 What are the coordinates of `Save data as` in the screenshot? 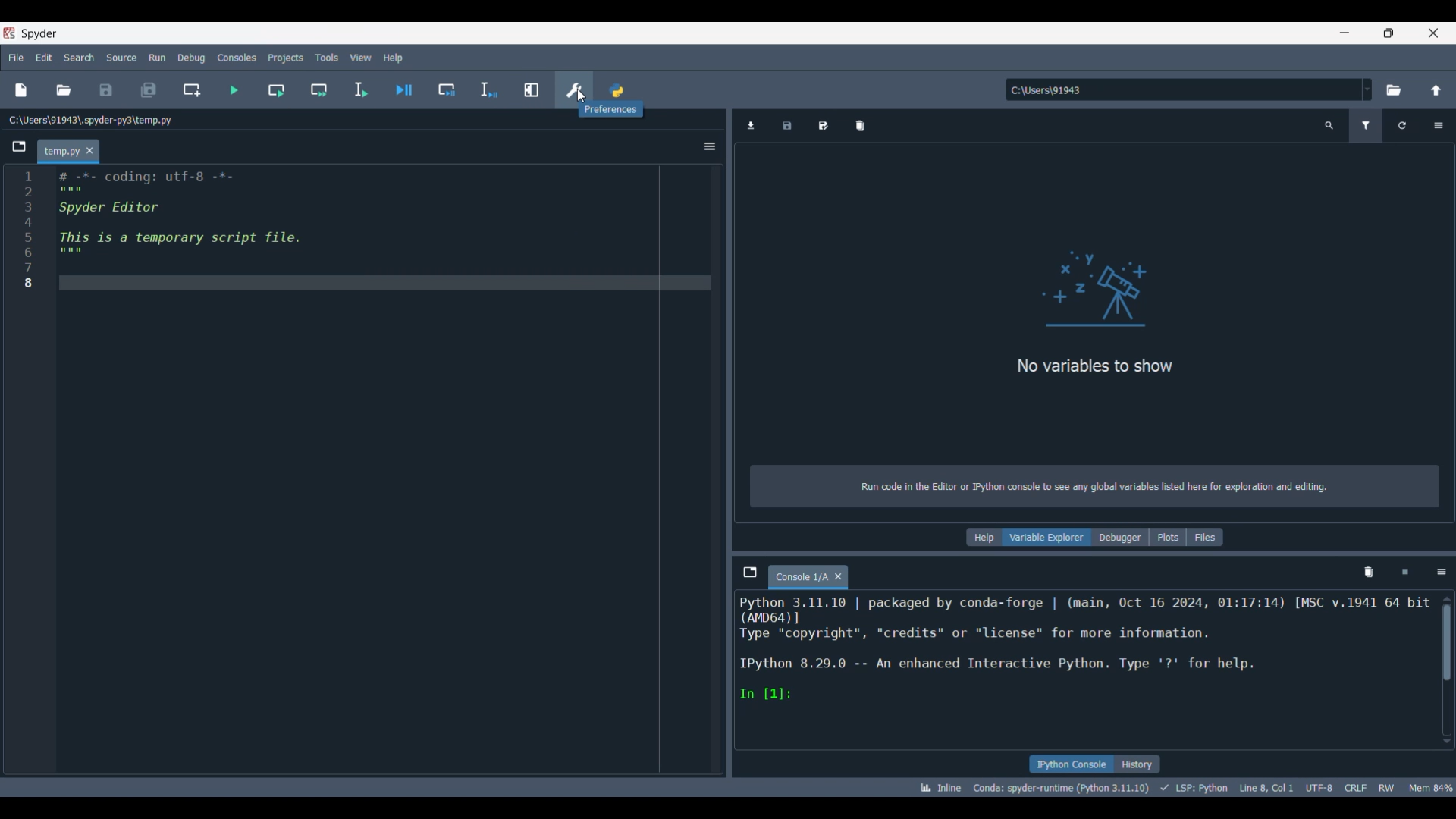 It's located at (823, 126).